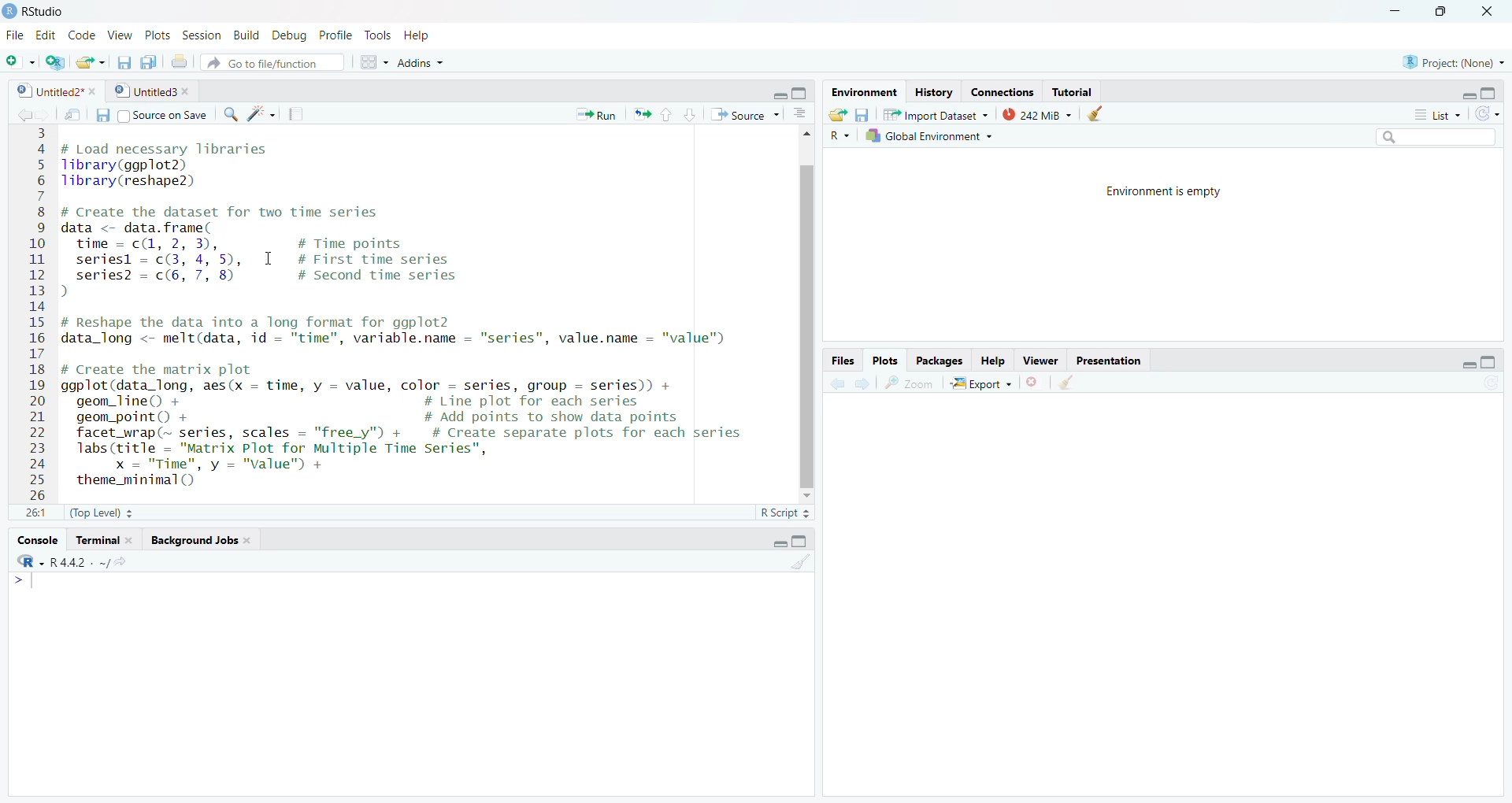 The width and height of the screenshot is (1512, 803). I want to click on move forward, so click(862, 383).